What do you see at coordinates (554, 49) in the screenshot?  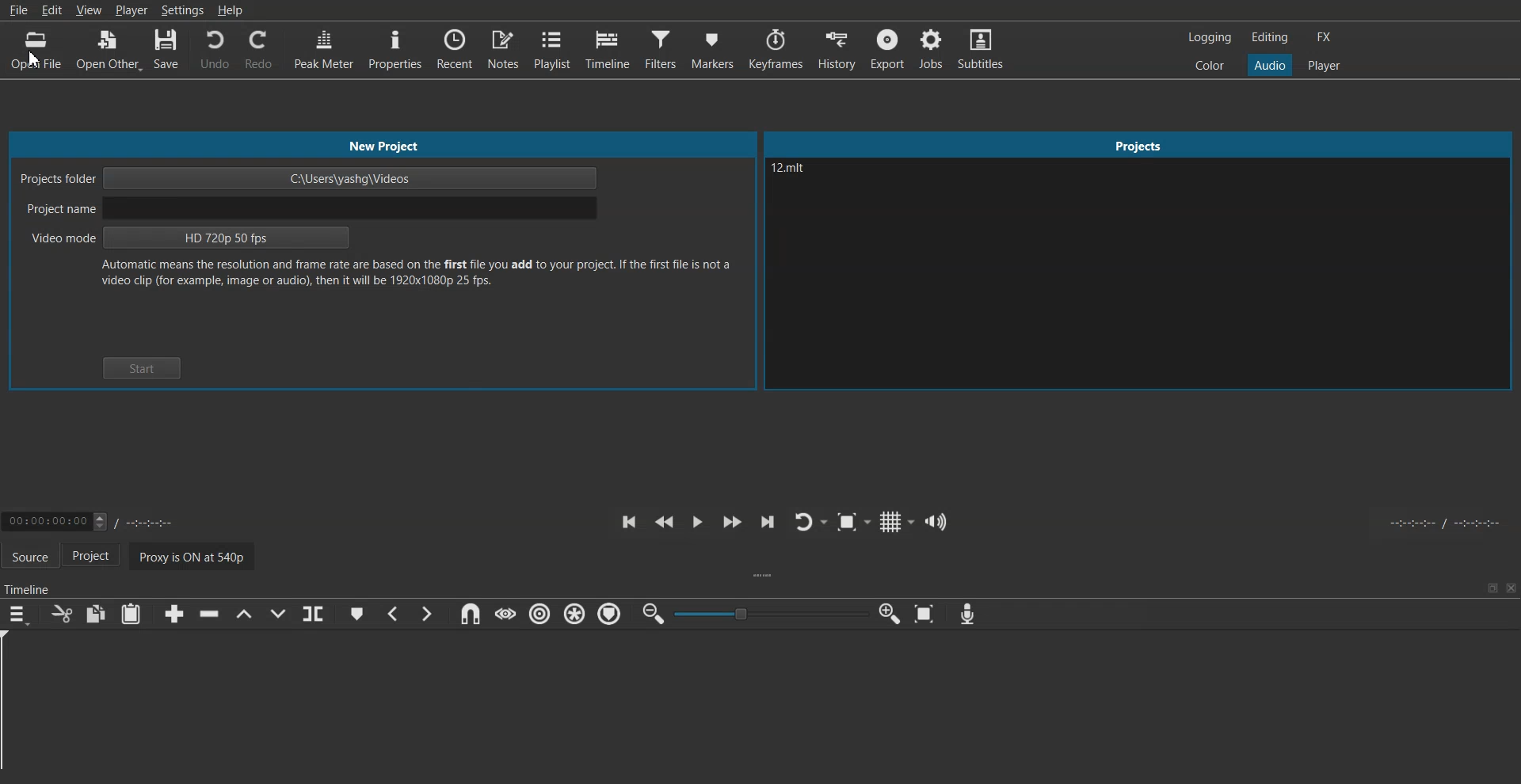 I see `Playlist` at bounding box center [554, 49].